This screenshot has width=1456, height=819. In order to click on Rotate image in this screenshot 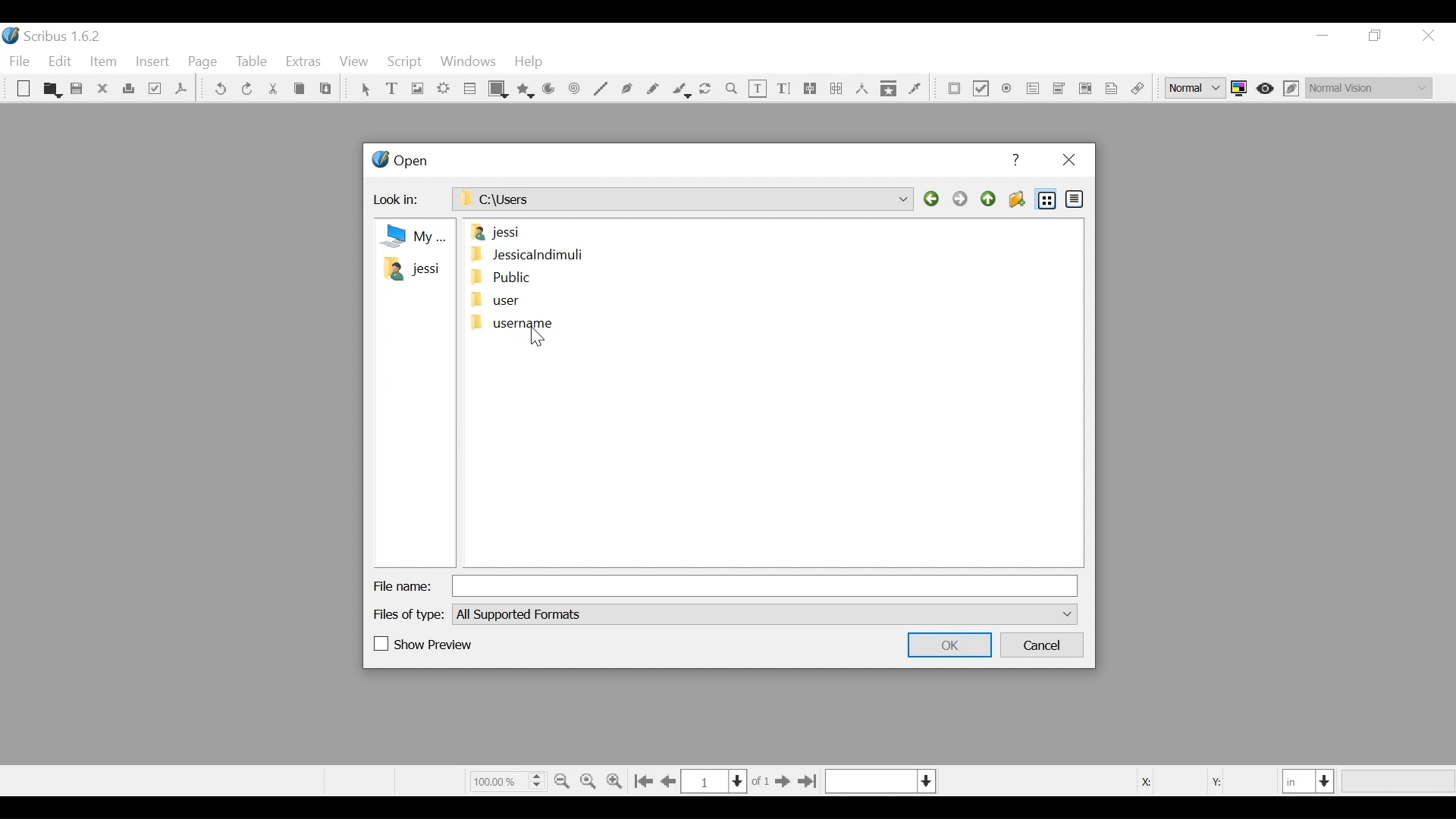, I will do `click(707, 89)`.